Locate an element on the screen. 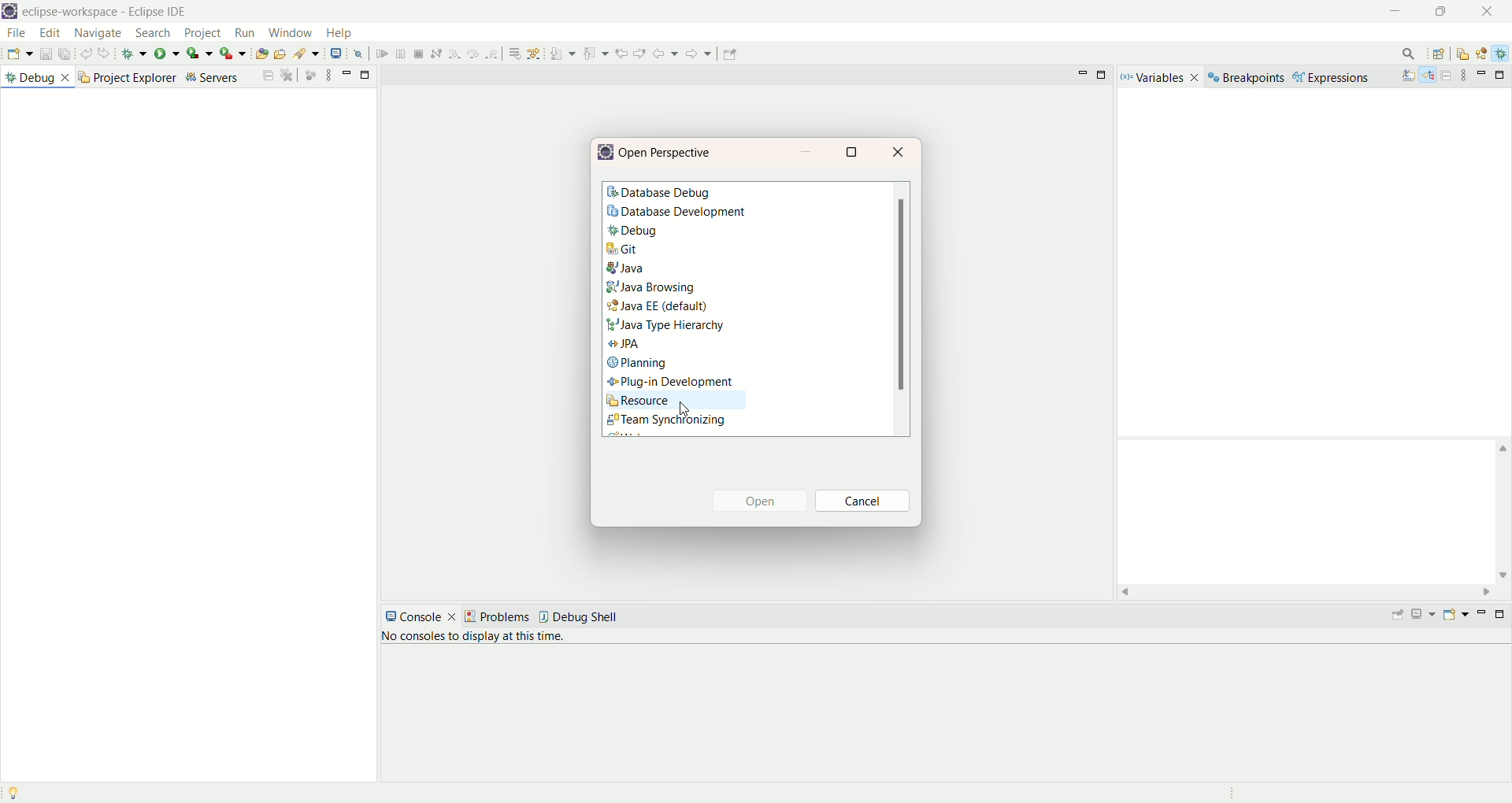  coverage is located at coordinates (198, 54).